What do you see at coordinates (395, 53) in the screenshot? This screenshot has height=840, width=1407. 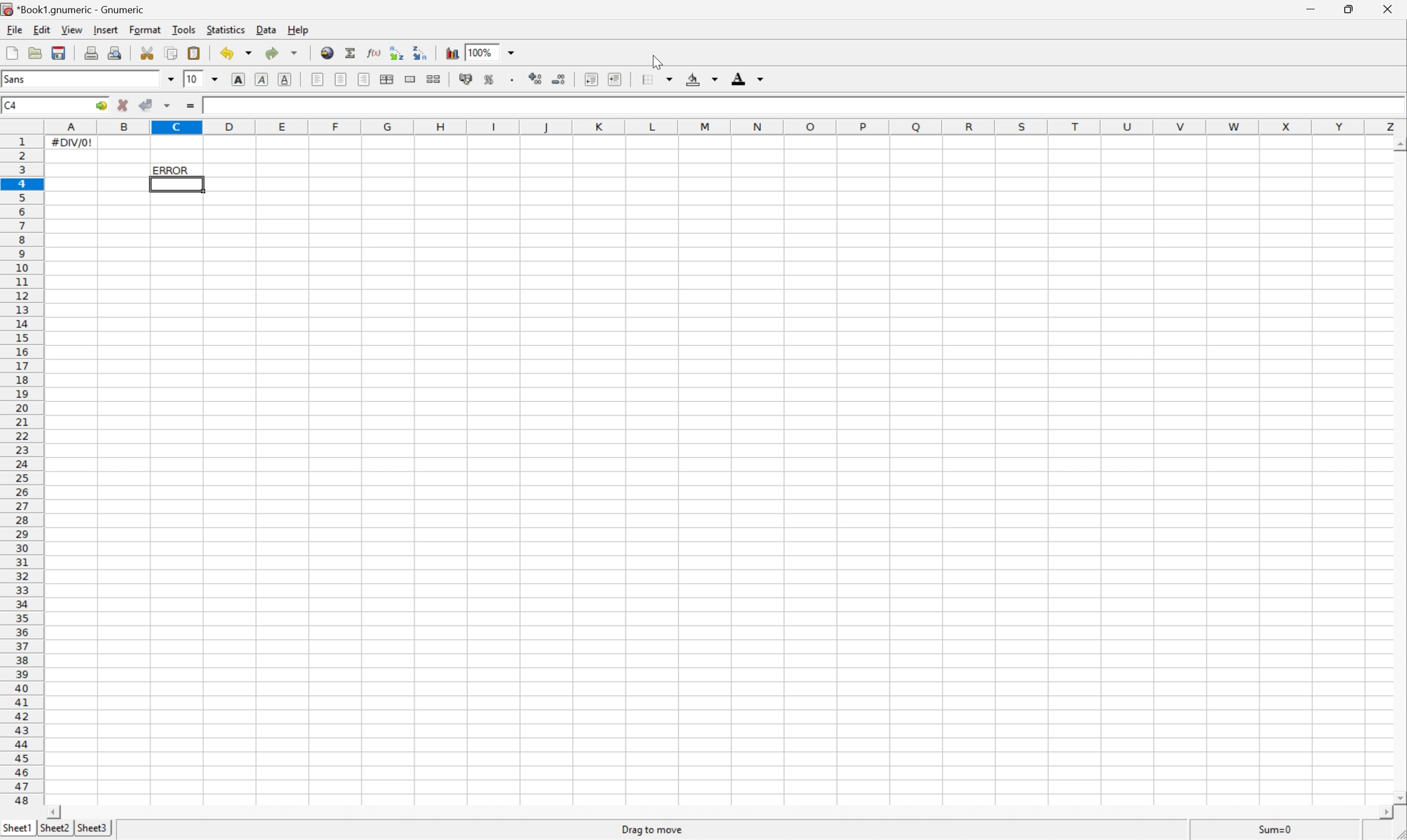 I see `Sort the selected region in ascending order based on the first column selected` at bounding box center [395, 53].